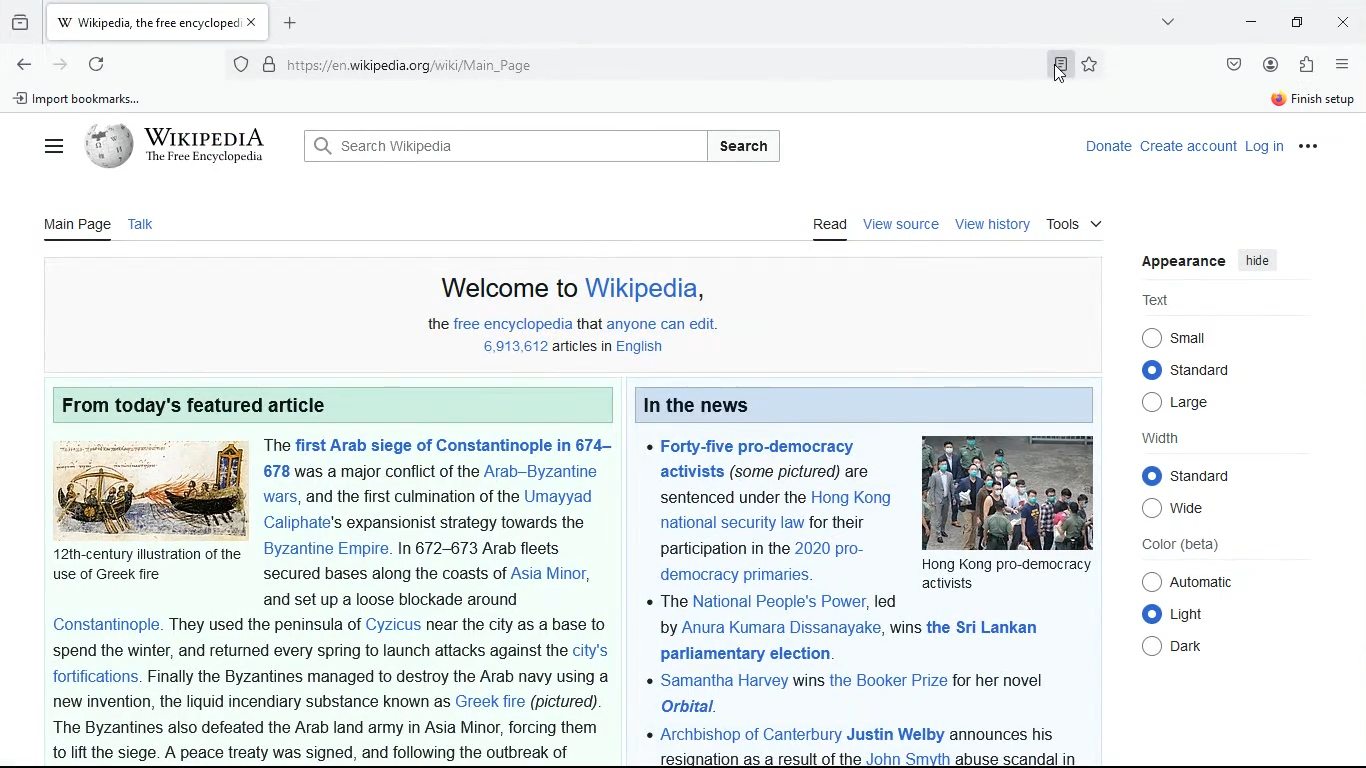 Image resolution: width=1366 pixels, height=768 pixels. Describe the element at coordinates (1342, 64) in the screenshot. I see `options` at that location.